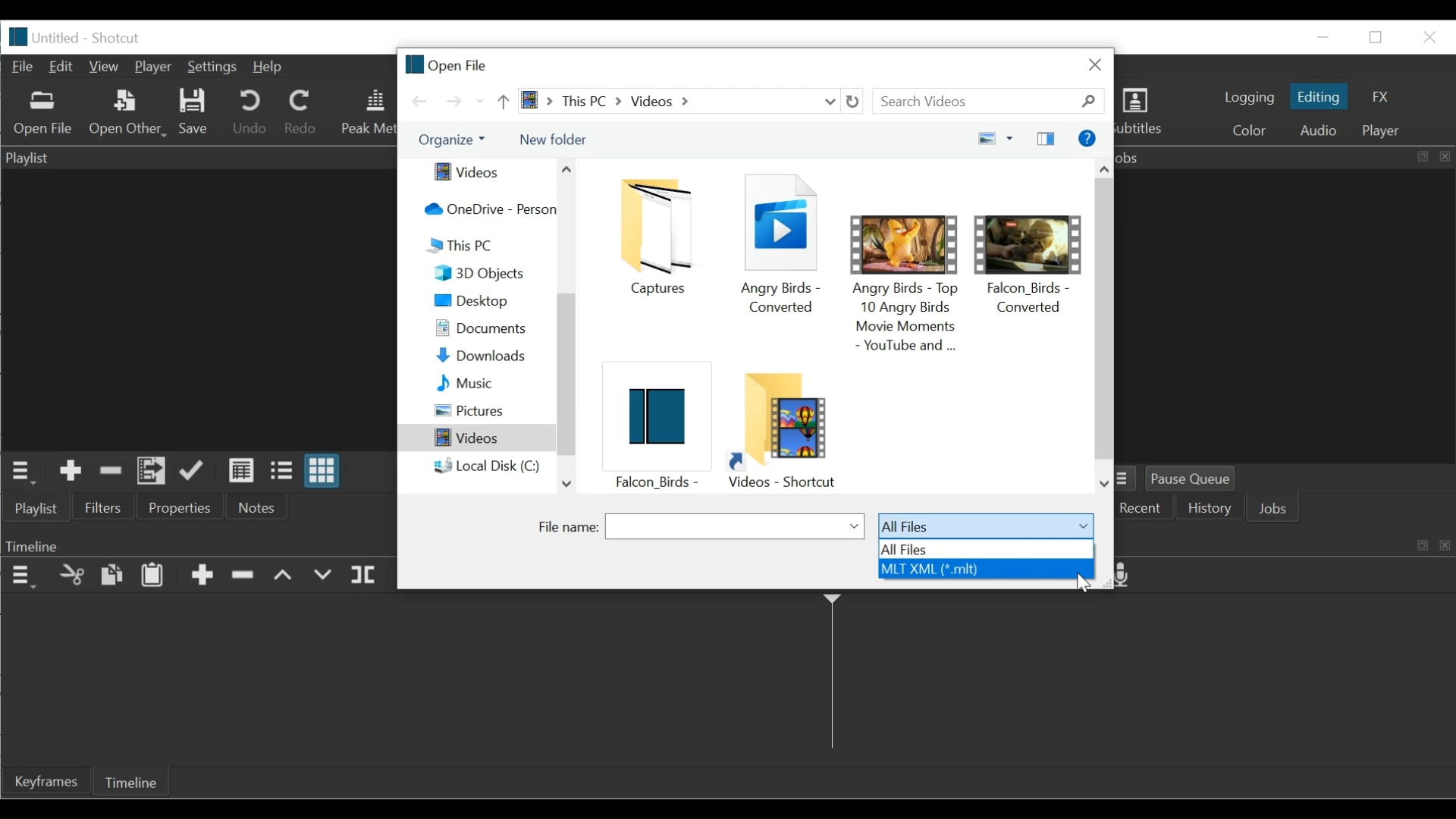 This screenshot has height=819, width=1456. Describe the element at coordinates (106, 67) in the screenshot. I see `View` at that location.